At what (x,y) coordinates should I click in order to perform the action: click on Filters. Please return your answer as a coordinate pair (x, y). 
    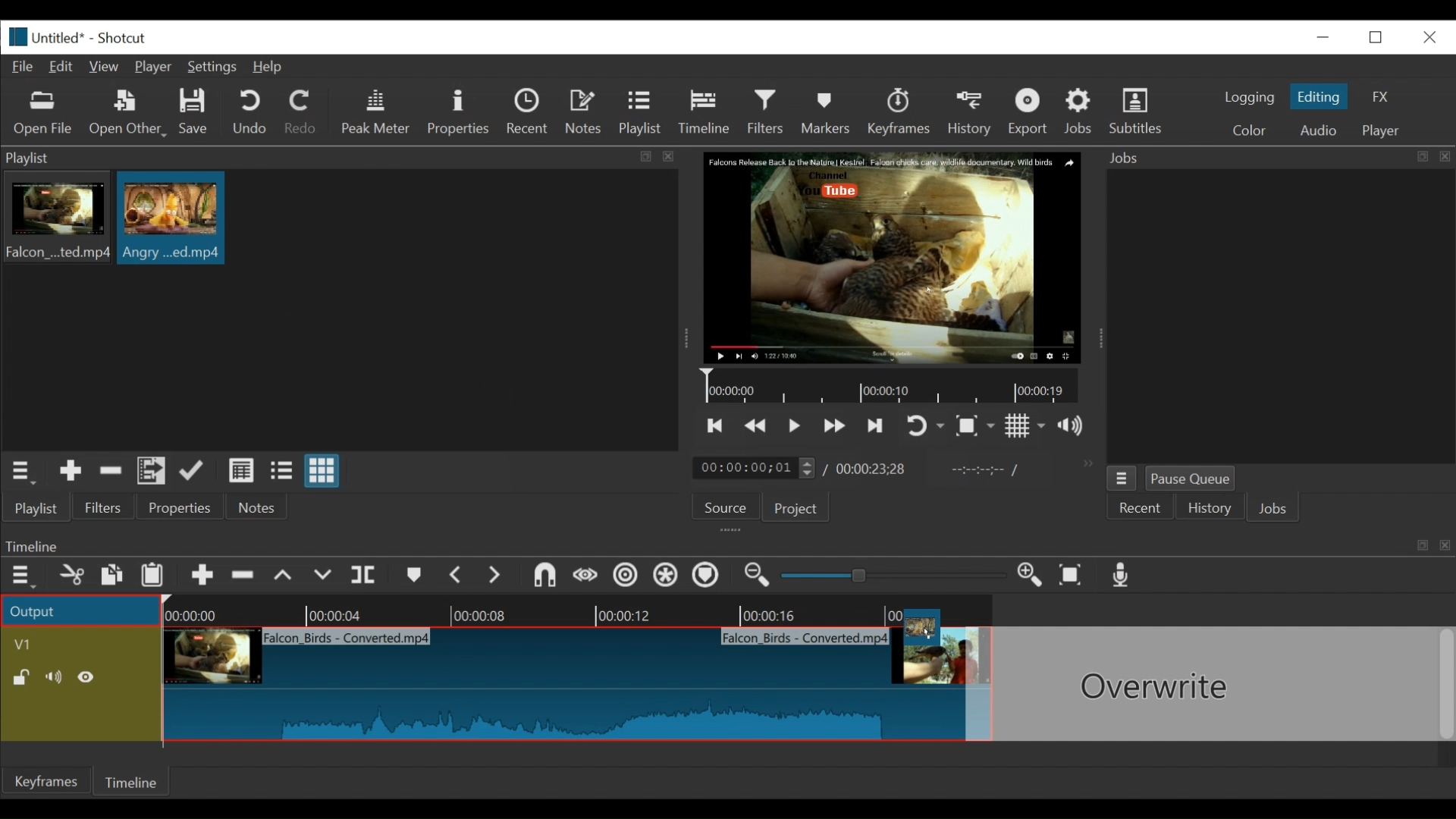
    Looking at the image, I should click on (770, 112).